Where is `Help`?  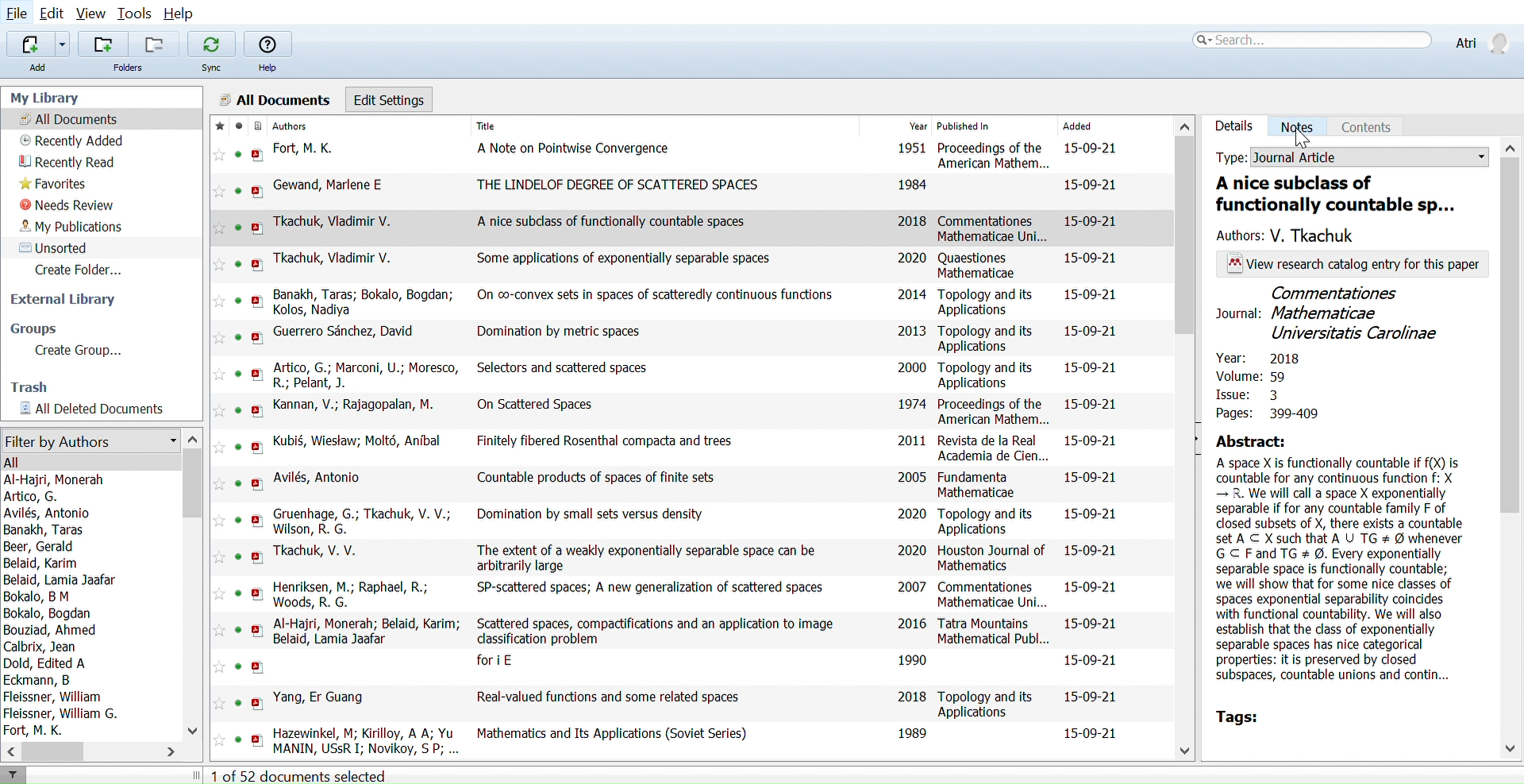 Help is located at coordinates (182, 14).